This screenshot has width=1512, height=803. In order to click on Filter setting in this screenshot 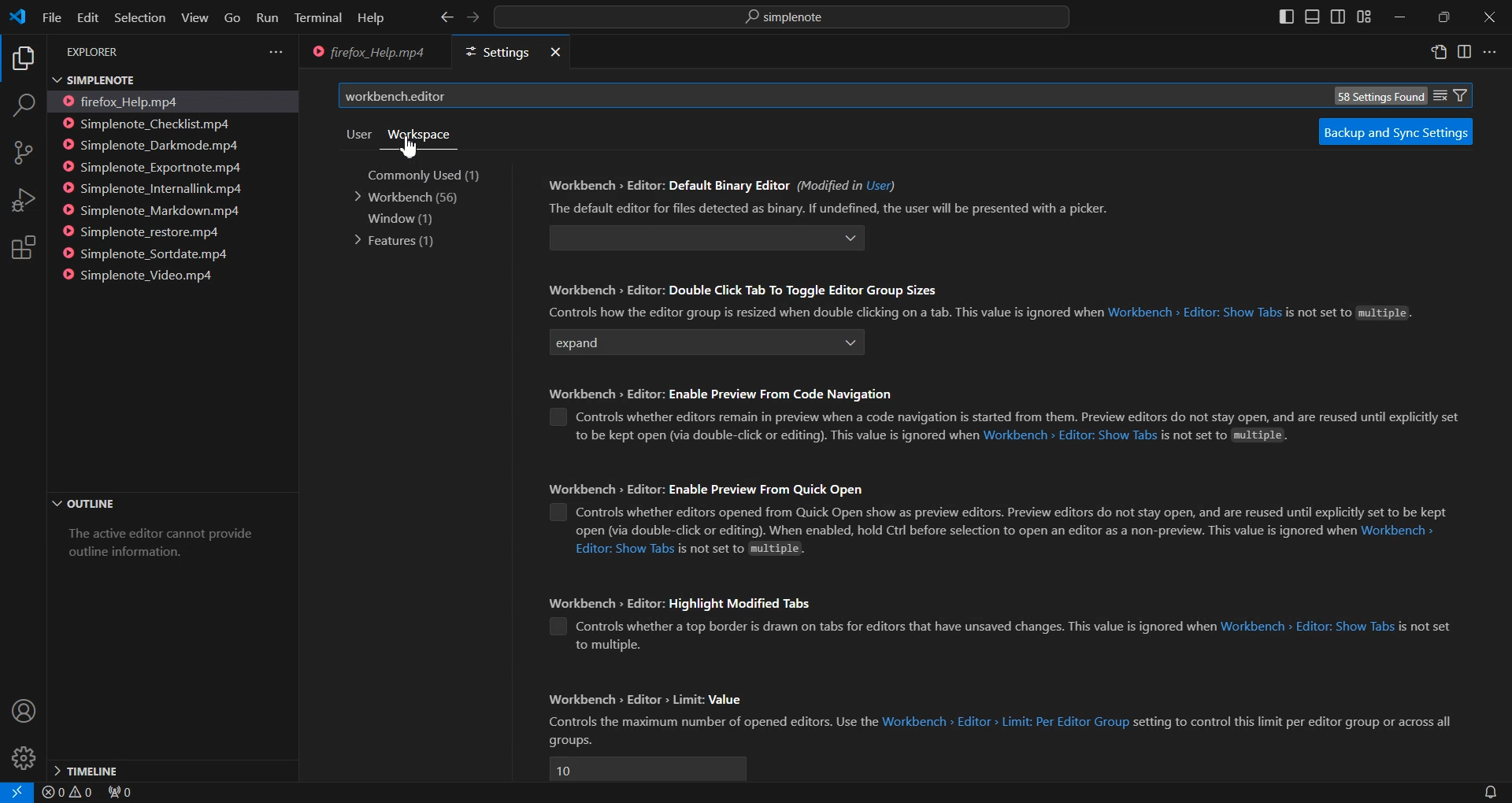, I will do `click(1462, 94)`.